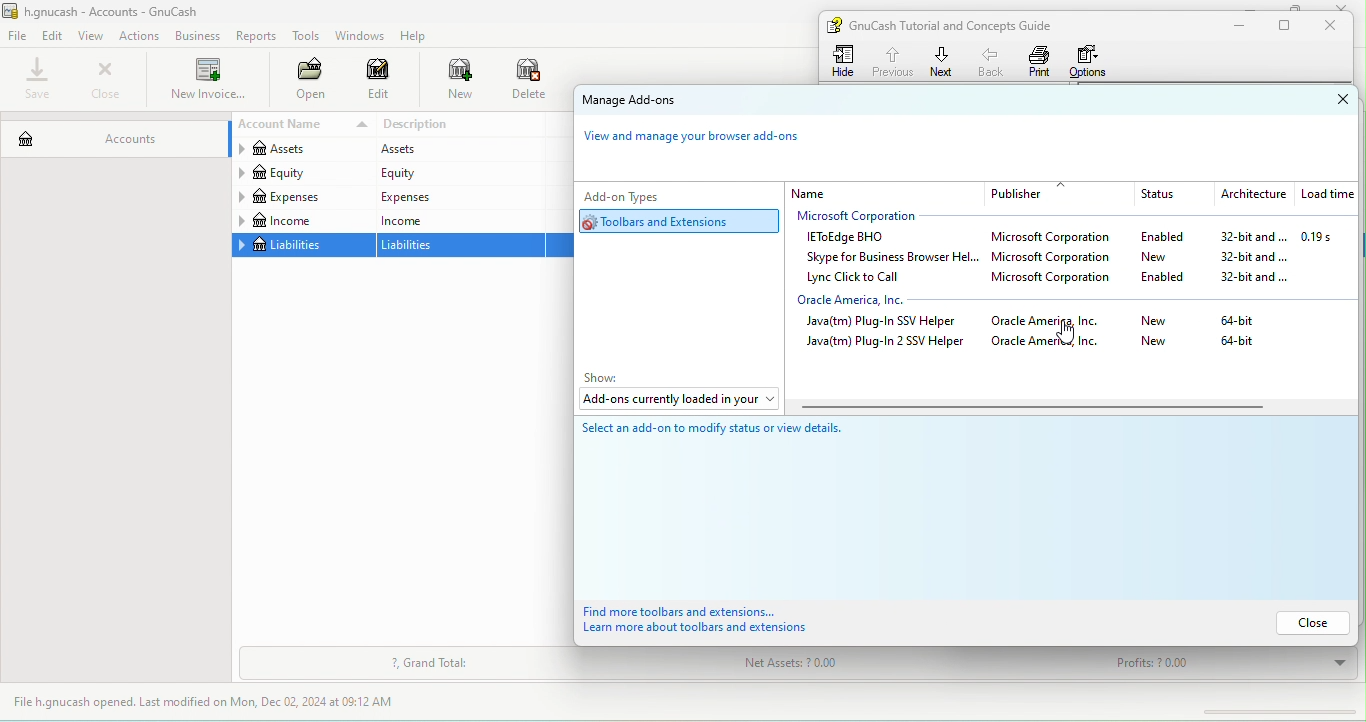 The image size is (1366, 722). Describe the element at coordinates (1052, 322) in the screenshot. I see `oracle america lnc` at that location.